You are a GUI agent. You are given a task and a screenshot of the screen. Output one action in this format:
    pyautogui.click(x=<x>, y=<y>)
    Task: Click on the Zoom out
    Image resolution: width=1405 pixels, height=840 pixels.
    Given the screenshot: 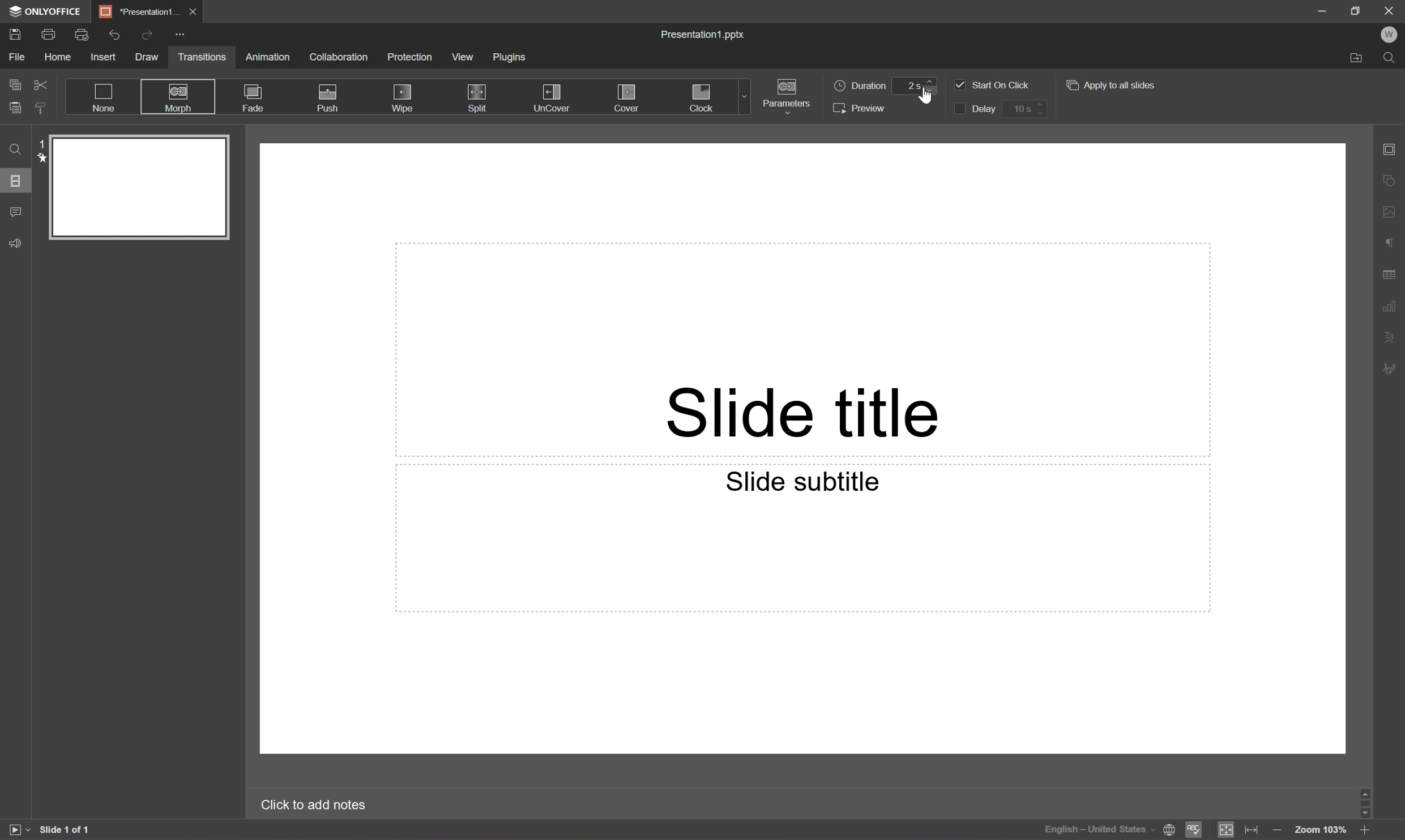 What is the action you would take?
    pyautogui.click(x=1282, y=834)
    